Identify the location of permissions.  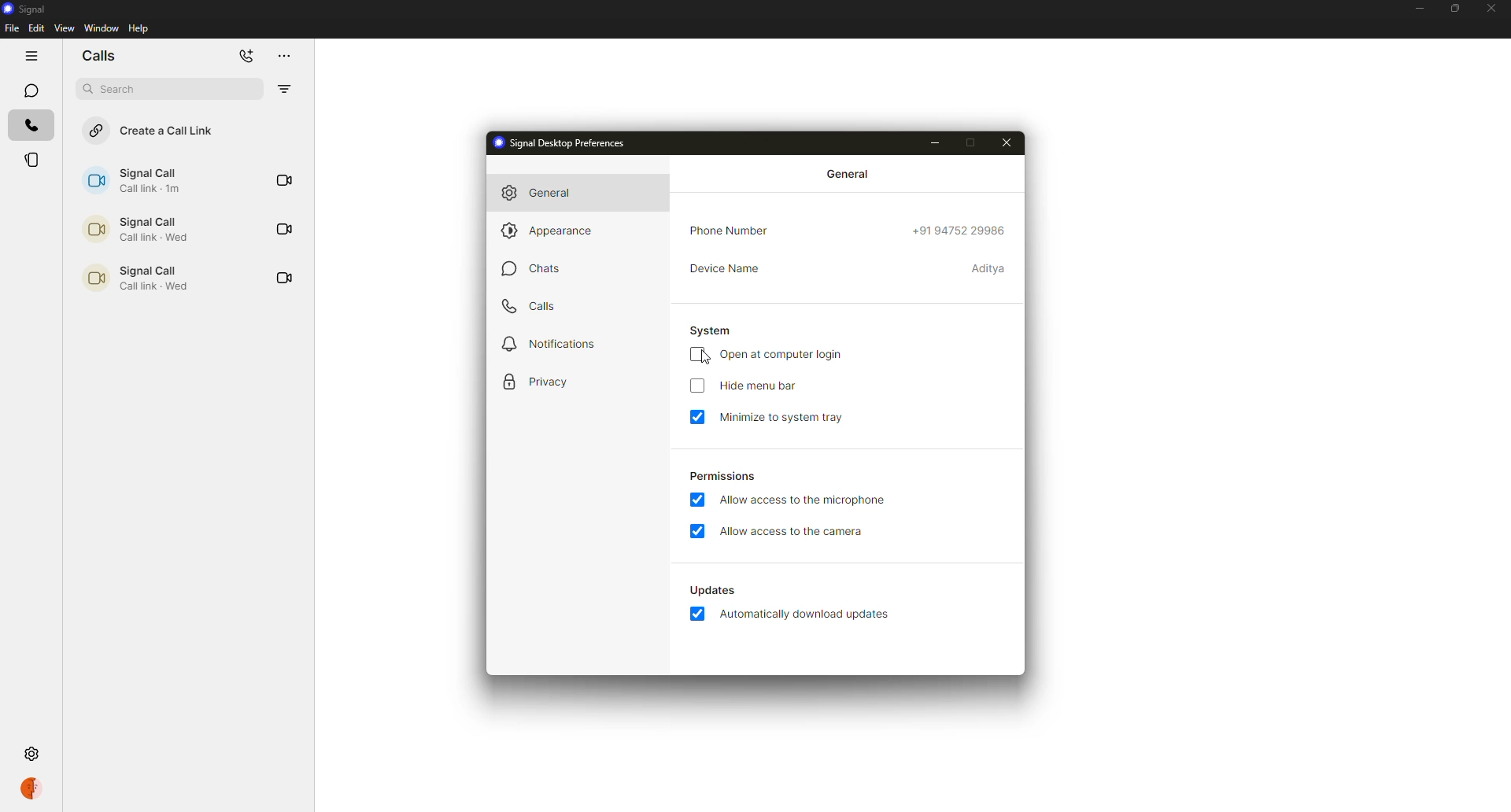
(721, 478).